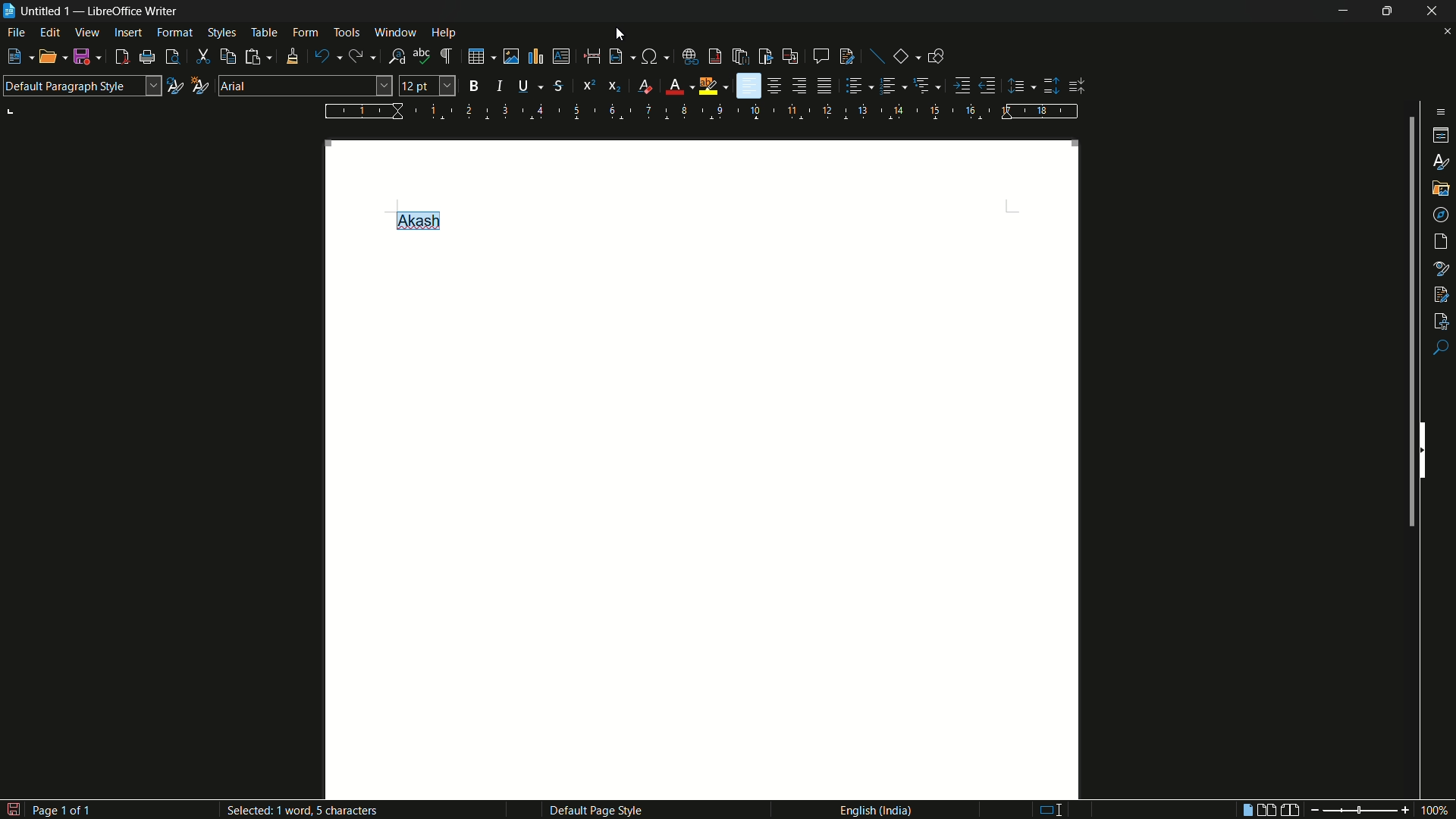  What do you see at coordinates (173, 57) in the screenshot?
I see `toggle print preview` at bounding box center [173, 57].